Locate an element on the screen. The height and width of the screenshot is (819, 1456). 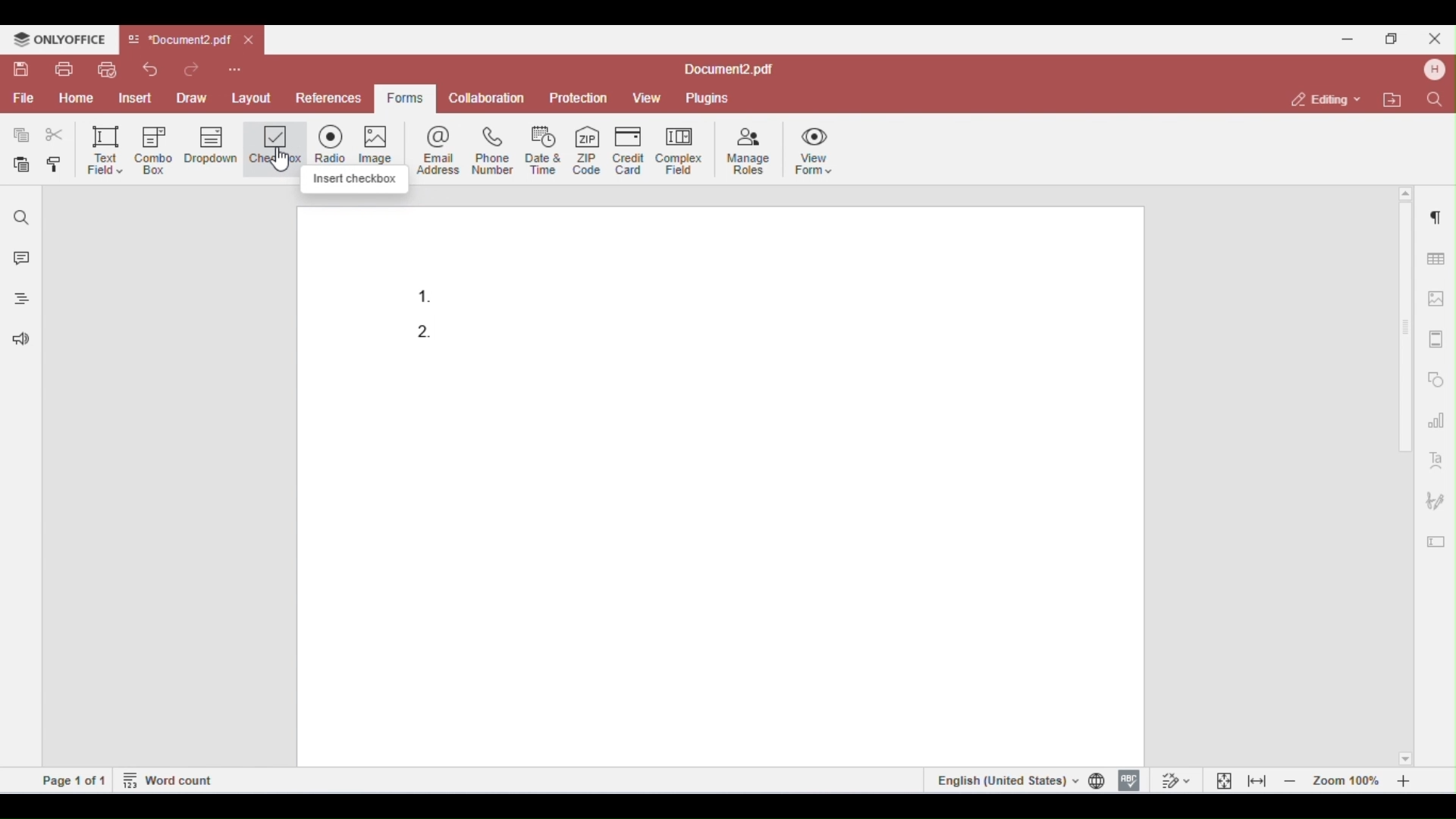
print preview is located at coordinates (106, 70).